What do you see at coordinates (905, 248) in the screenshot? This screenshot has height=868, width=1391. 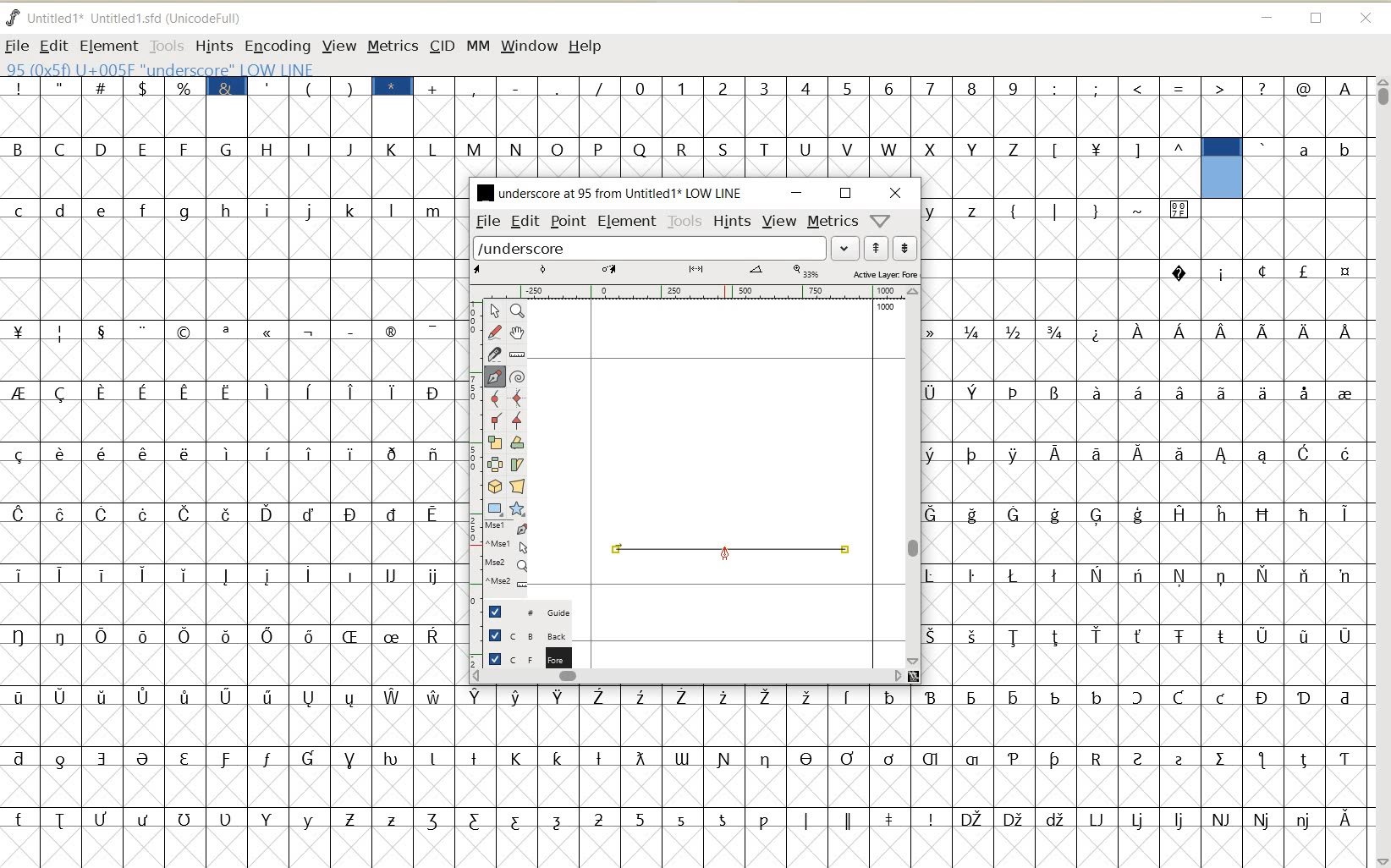 I see `show next word list` at bounding box center [905, 248].